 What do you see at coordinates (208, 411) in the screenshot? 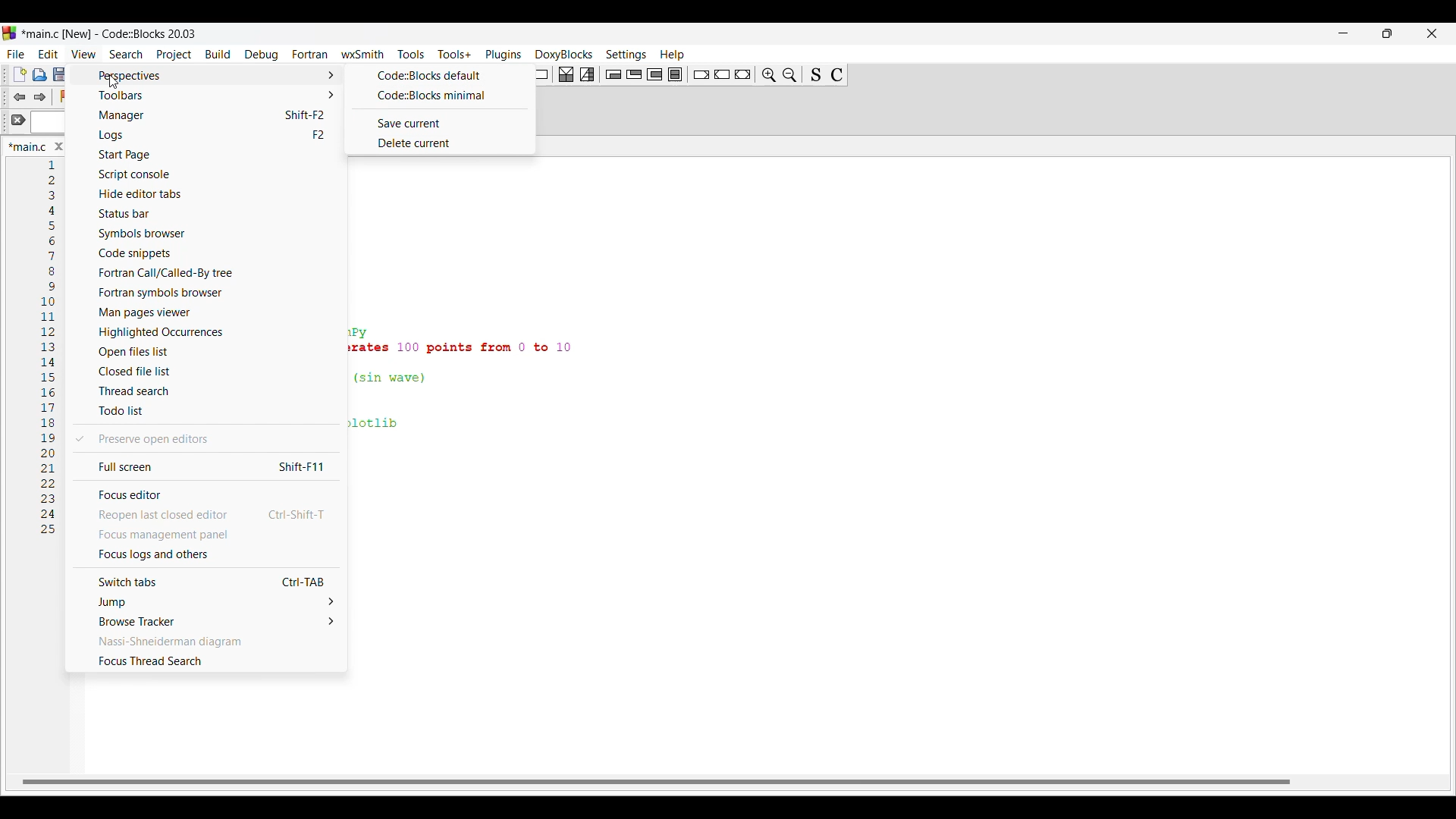
I see `Todo list` at bounding box center [208, 411].